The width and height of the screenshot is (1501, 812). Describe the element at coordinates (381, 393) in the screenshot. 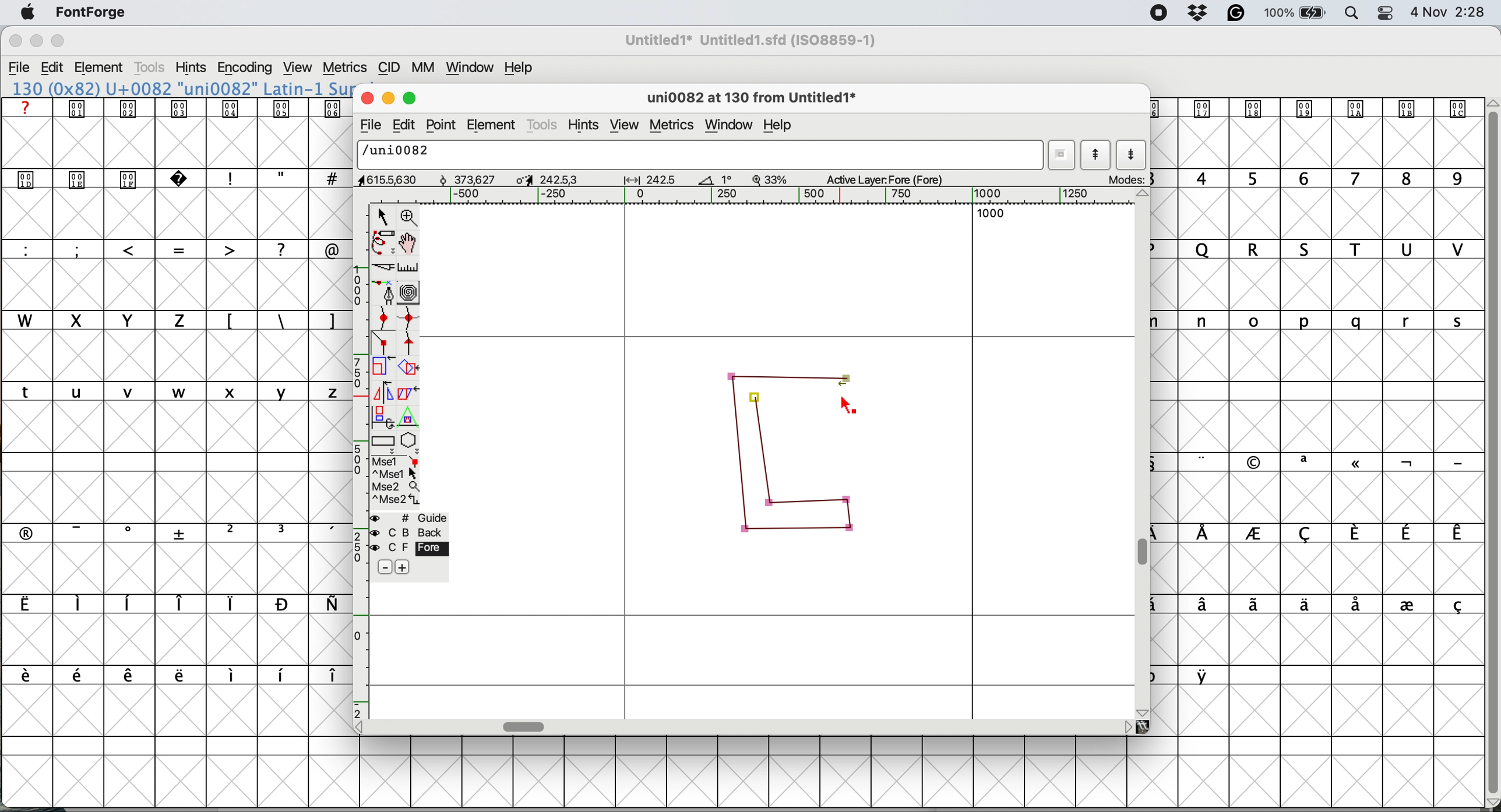

I see `flip the selection` at that location.